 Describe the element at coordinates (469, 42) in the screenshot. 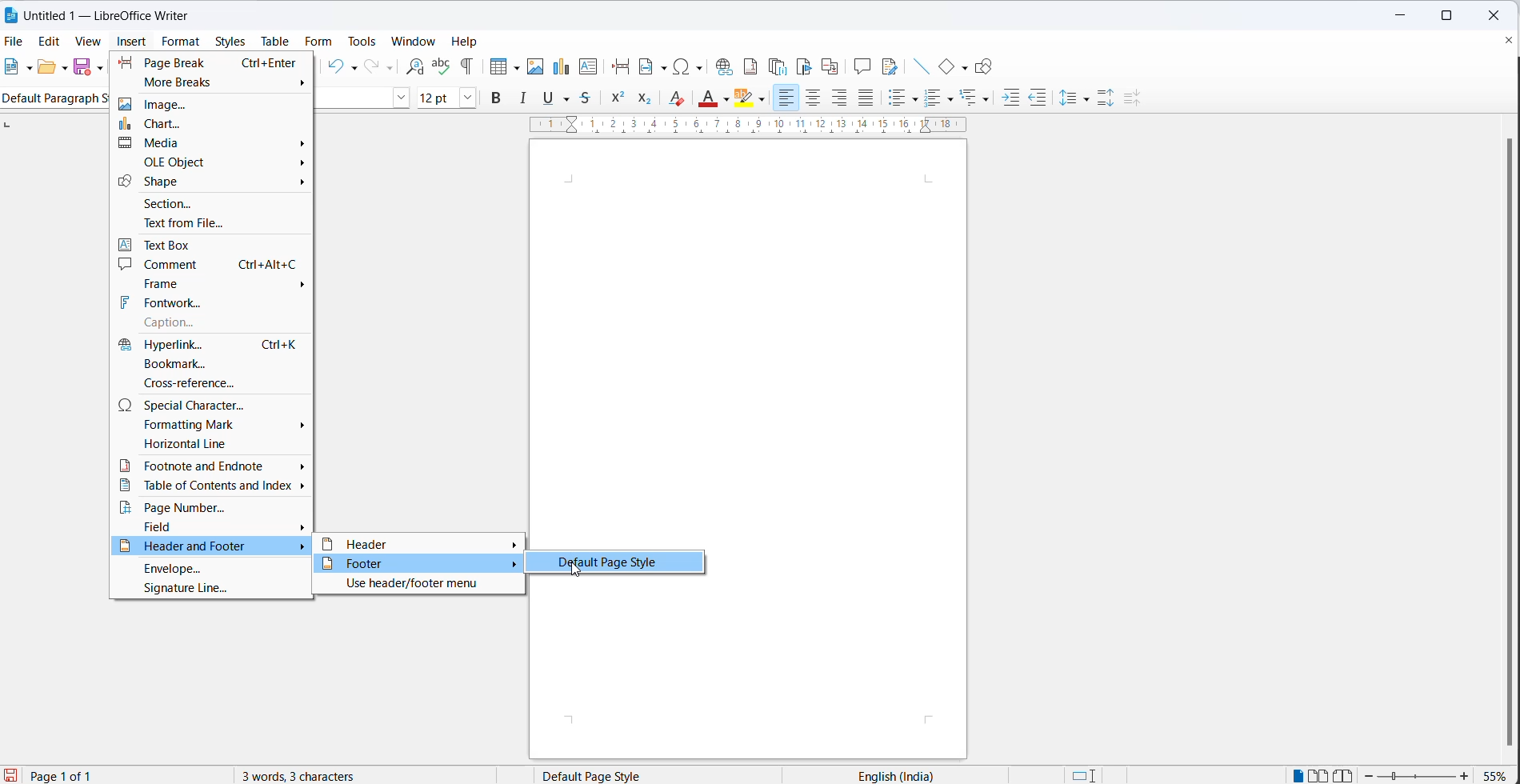

I see `help ` at that location.